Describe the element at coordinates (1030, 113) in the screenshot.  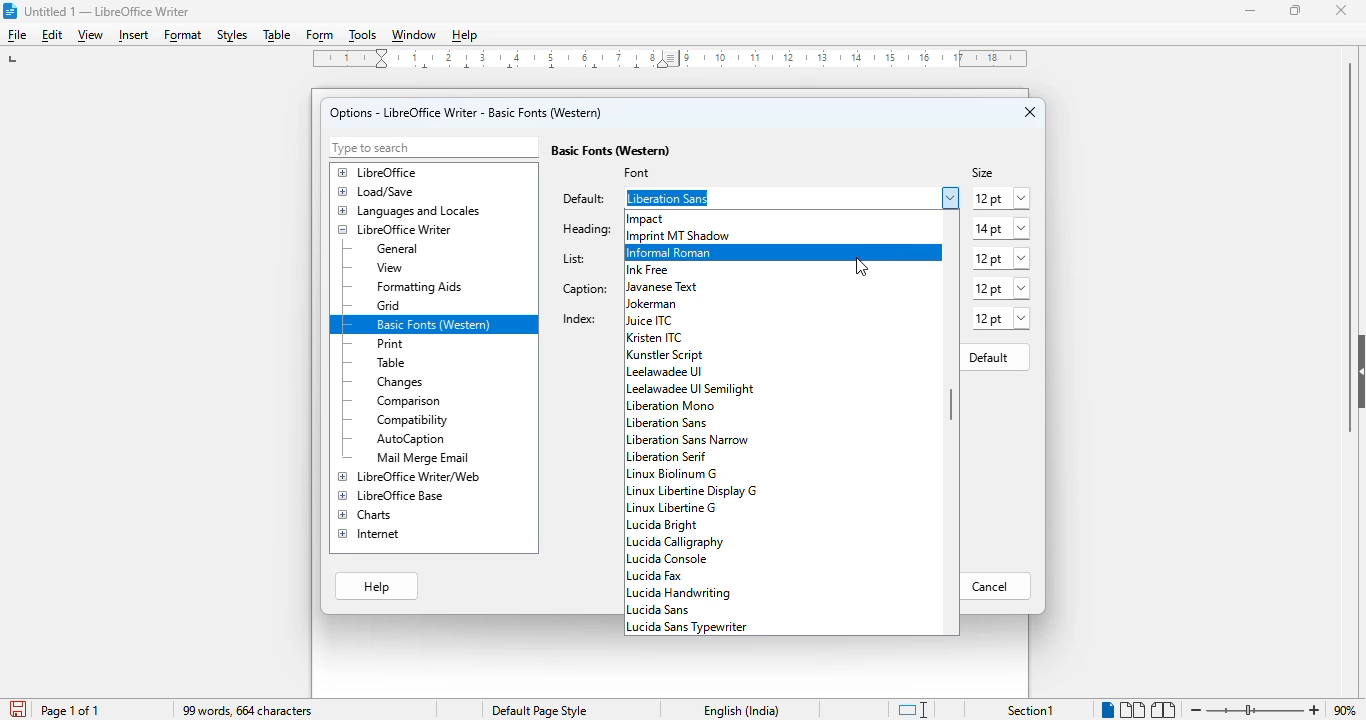
I see `close` at that location.